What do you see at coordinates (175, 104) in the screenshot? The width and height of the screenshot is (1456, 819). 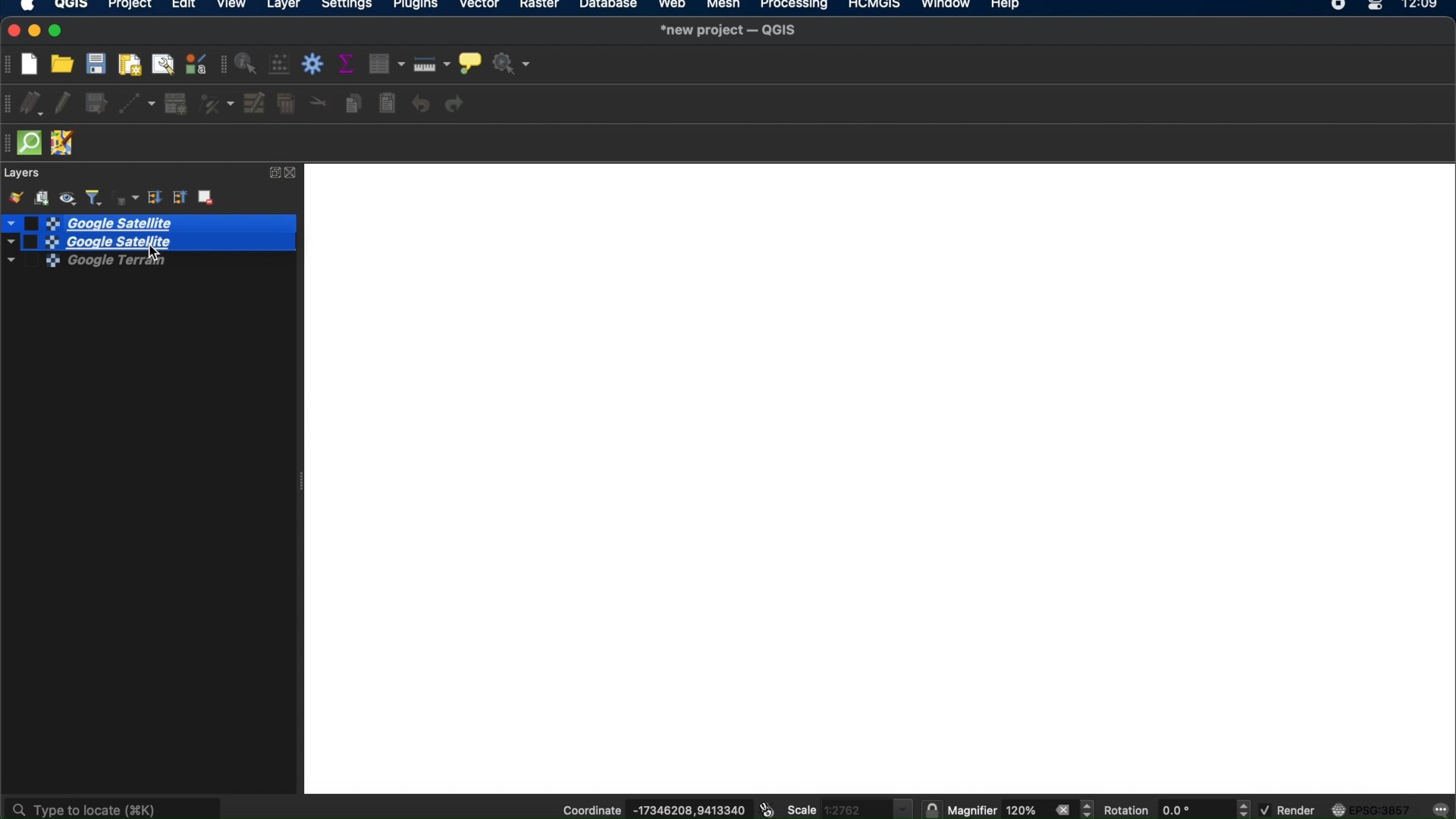 I see `add record` at bounding box center [175, 104].